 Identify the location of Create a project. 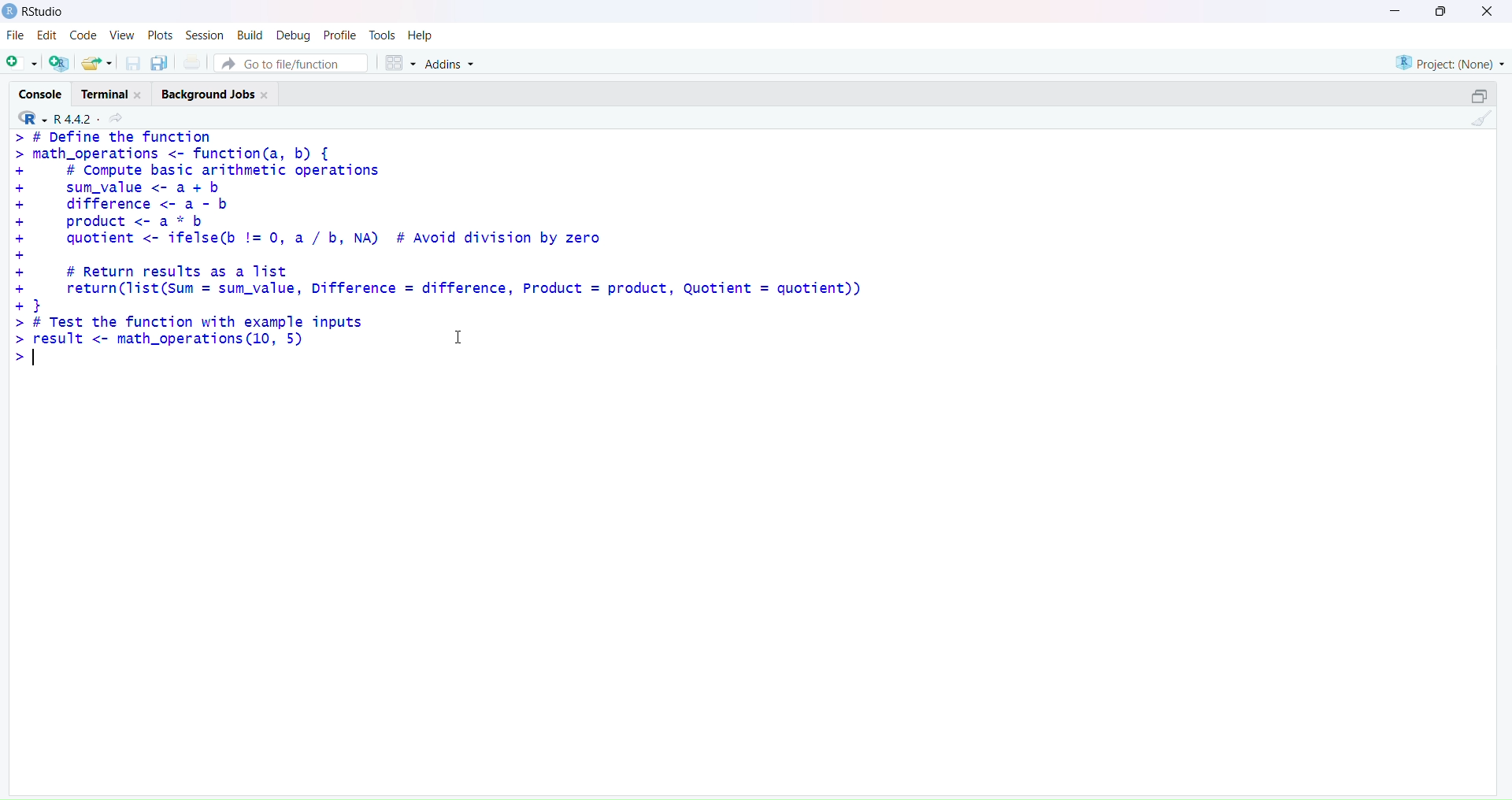
(57, 61).